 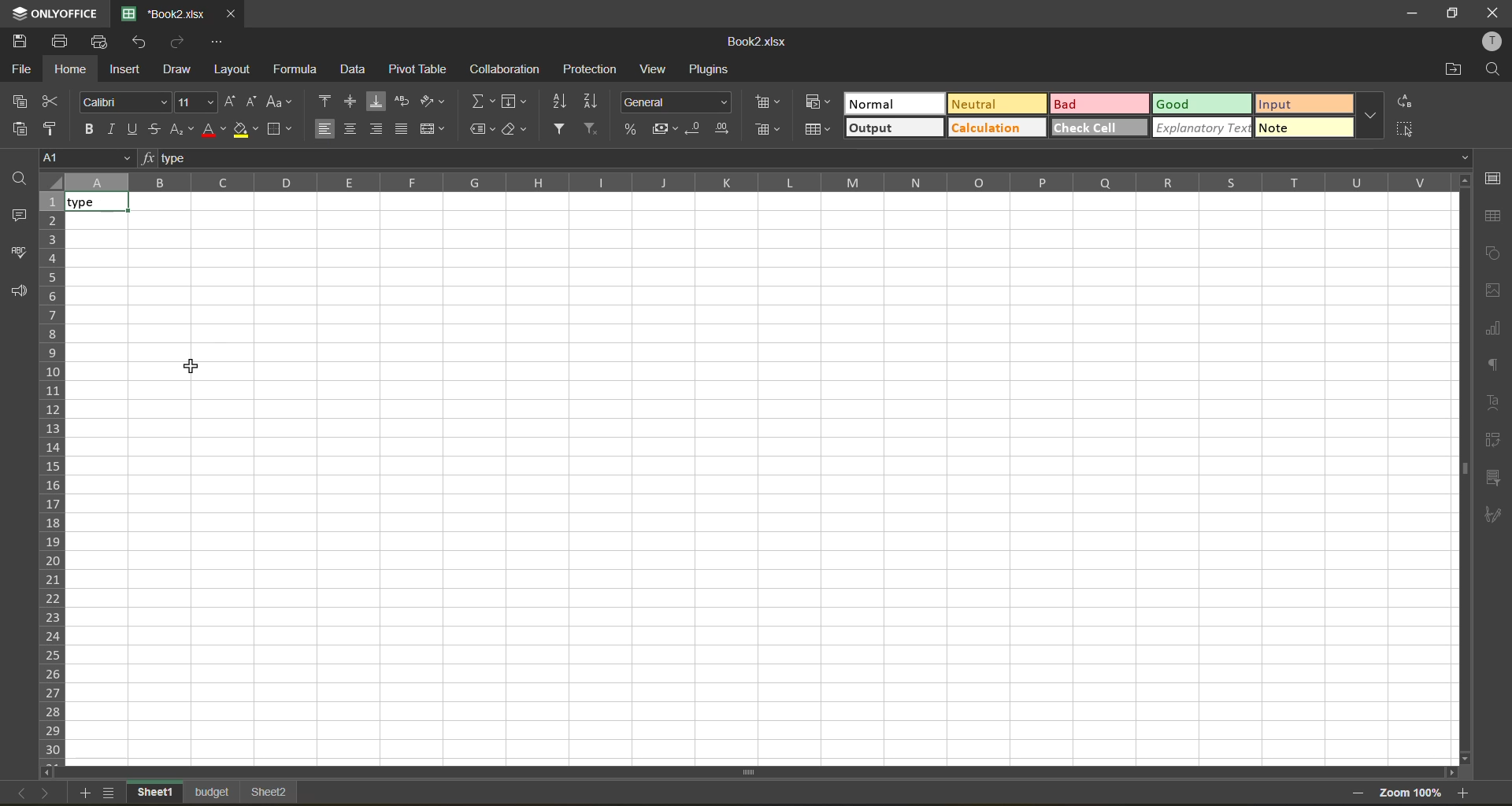 What do you see at coordinates (54, 128) in the screenshot?
I see `copy style` at bounding box center [54, 128].